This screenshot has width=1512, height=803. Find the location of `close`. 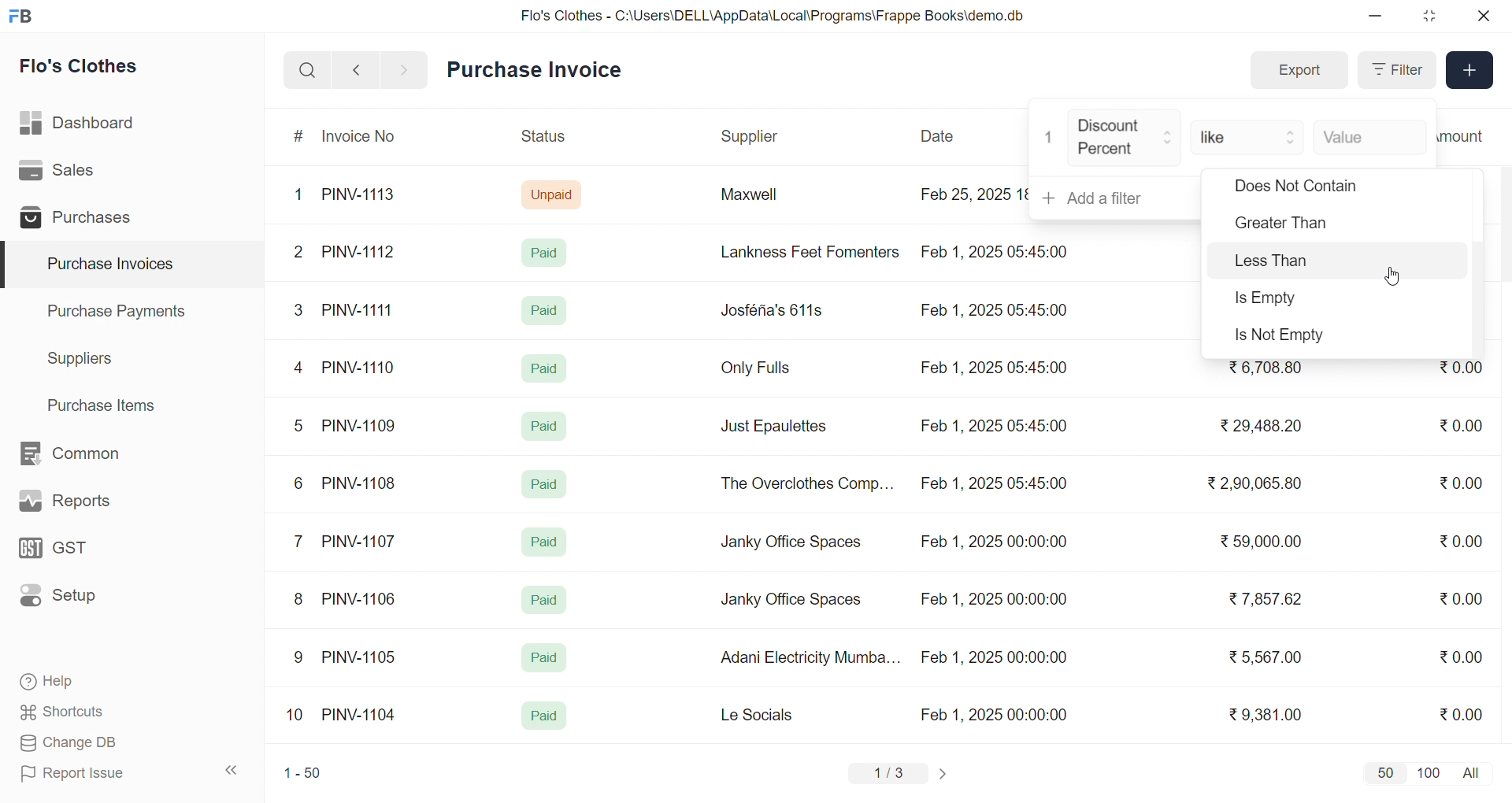

close is located at coordinates (1482, 16).